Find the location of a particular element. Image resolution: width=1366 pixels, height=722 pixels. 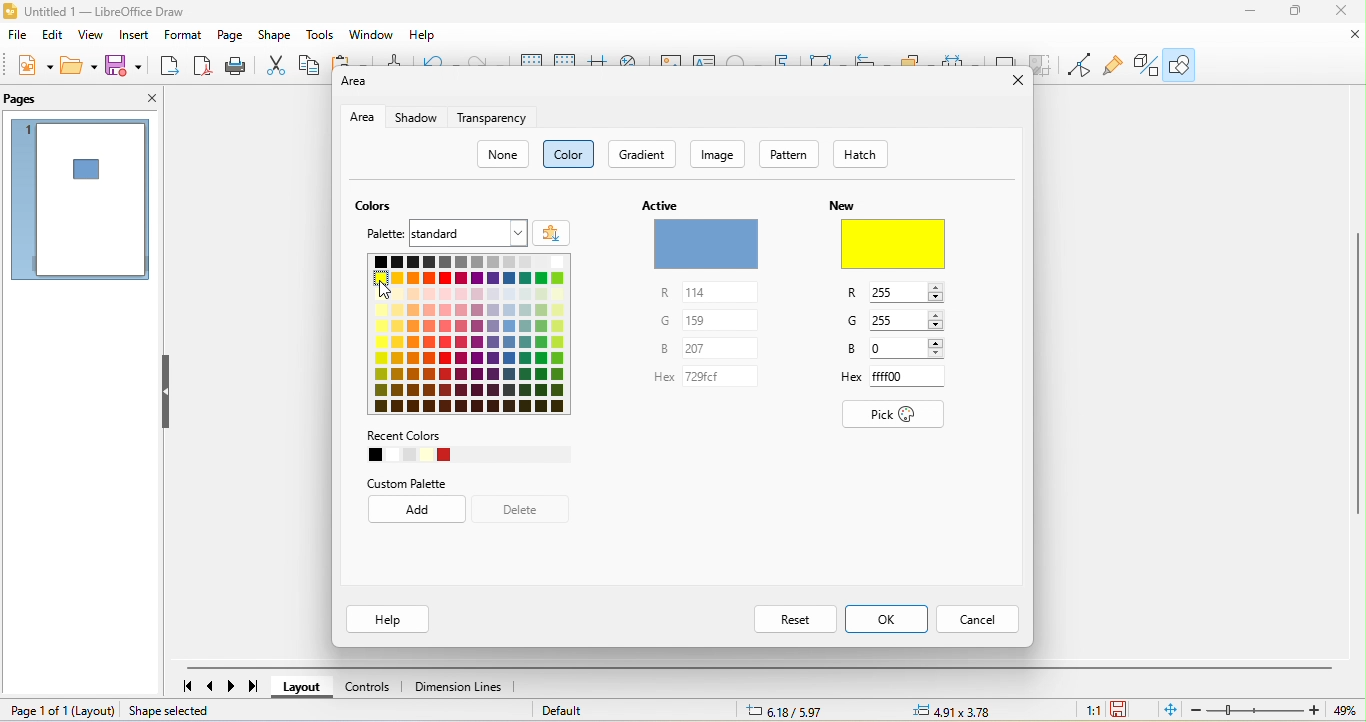

cut is located at coordinates (275, 68).